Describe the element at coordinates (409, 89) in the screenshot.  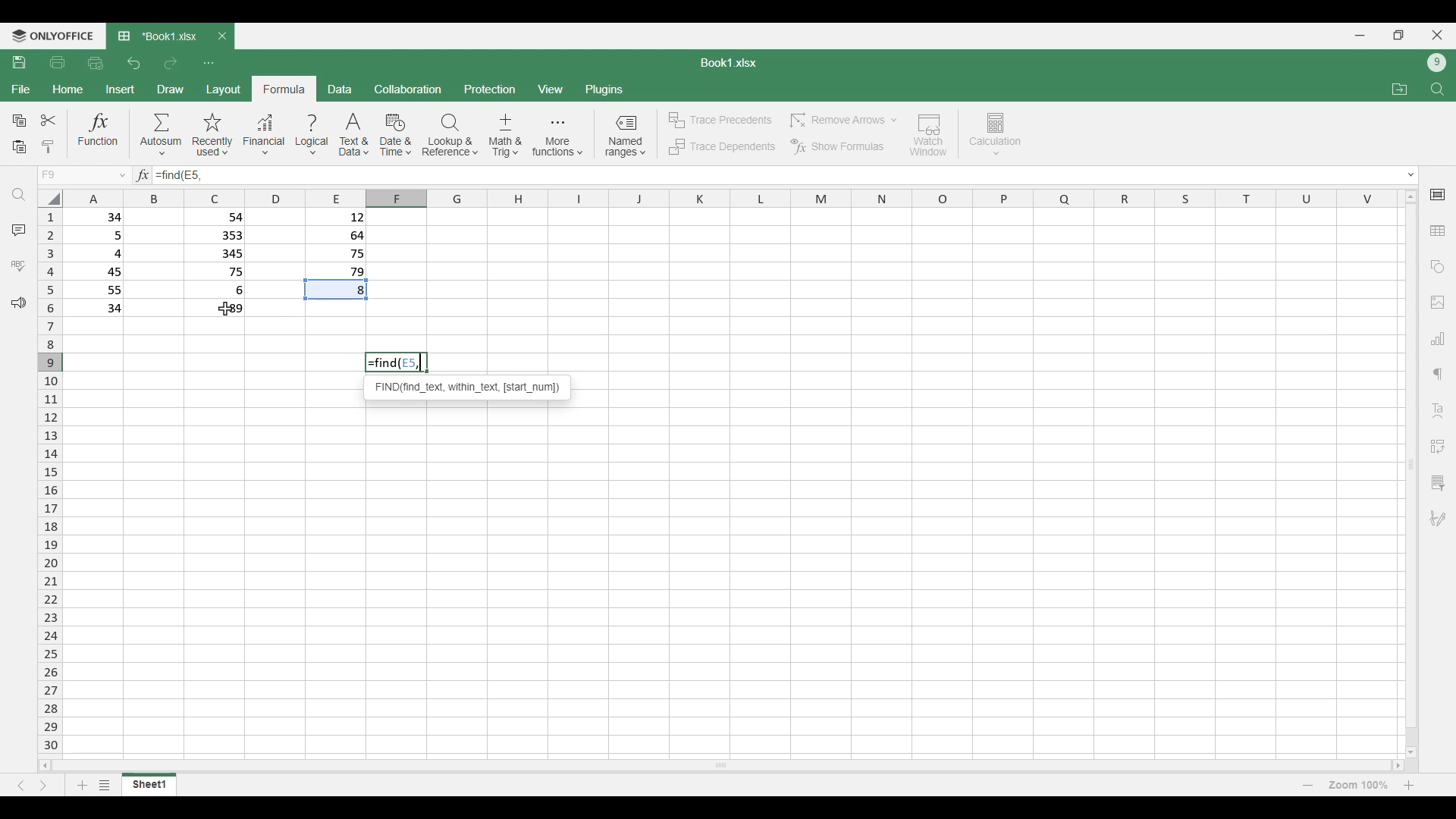
I see `Collaboration menu` at that location.